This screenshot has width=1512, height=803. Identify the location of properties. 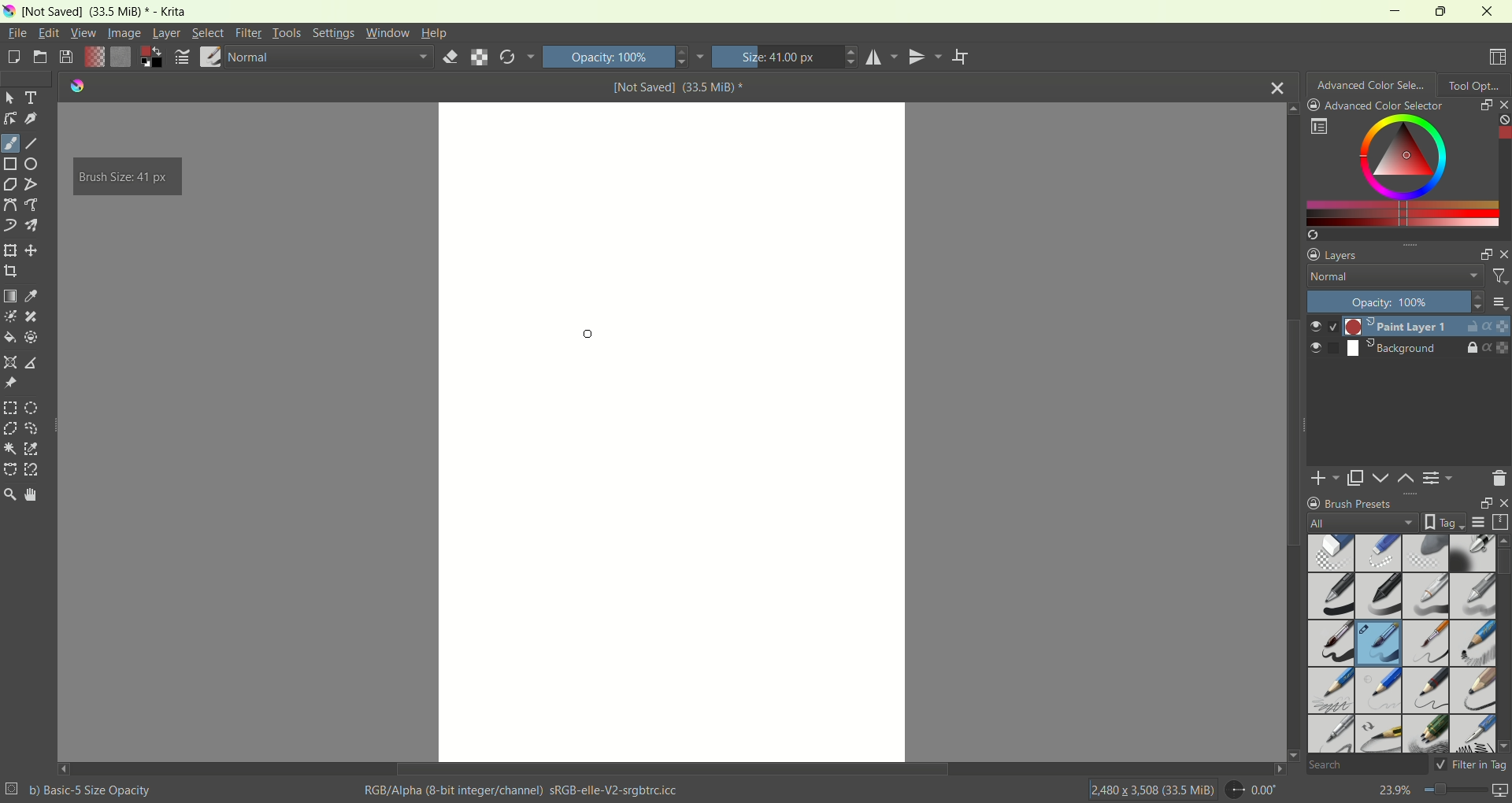
(1496, 326).